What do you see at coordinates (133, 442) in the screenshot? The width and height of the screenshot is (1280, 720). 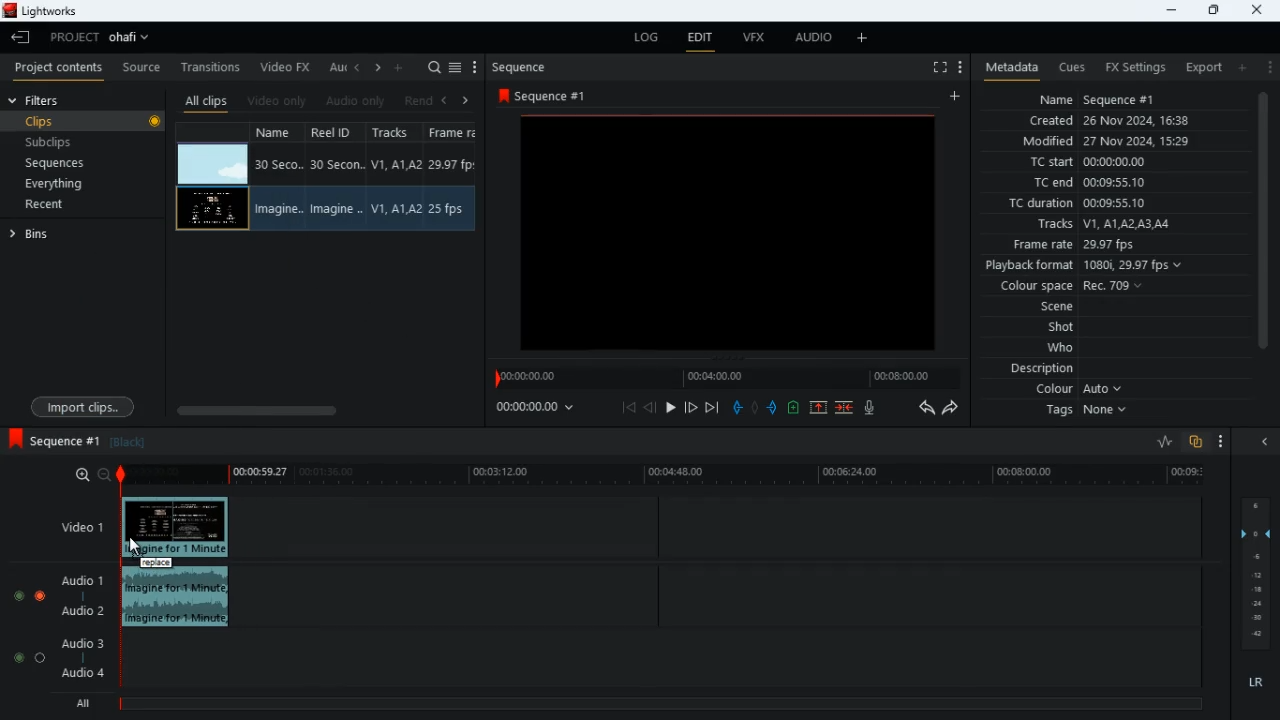 I see `black` at bounding box center [133, 442].